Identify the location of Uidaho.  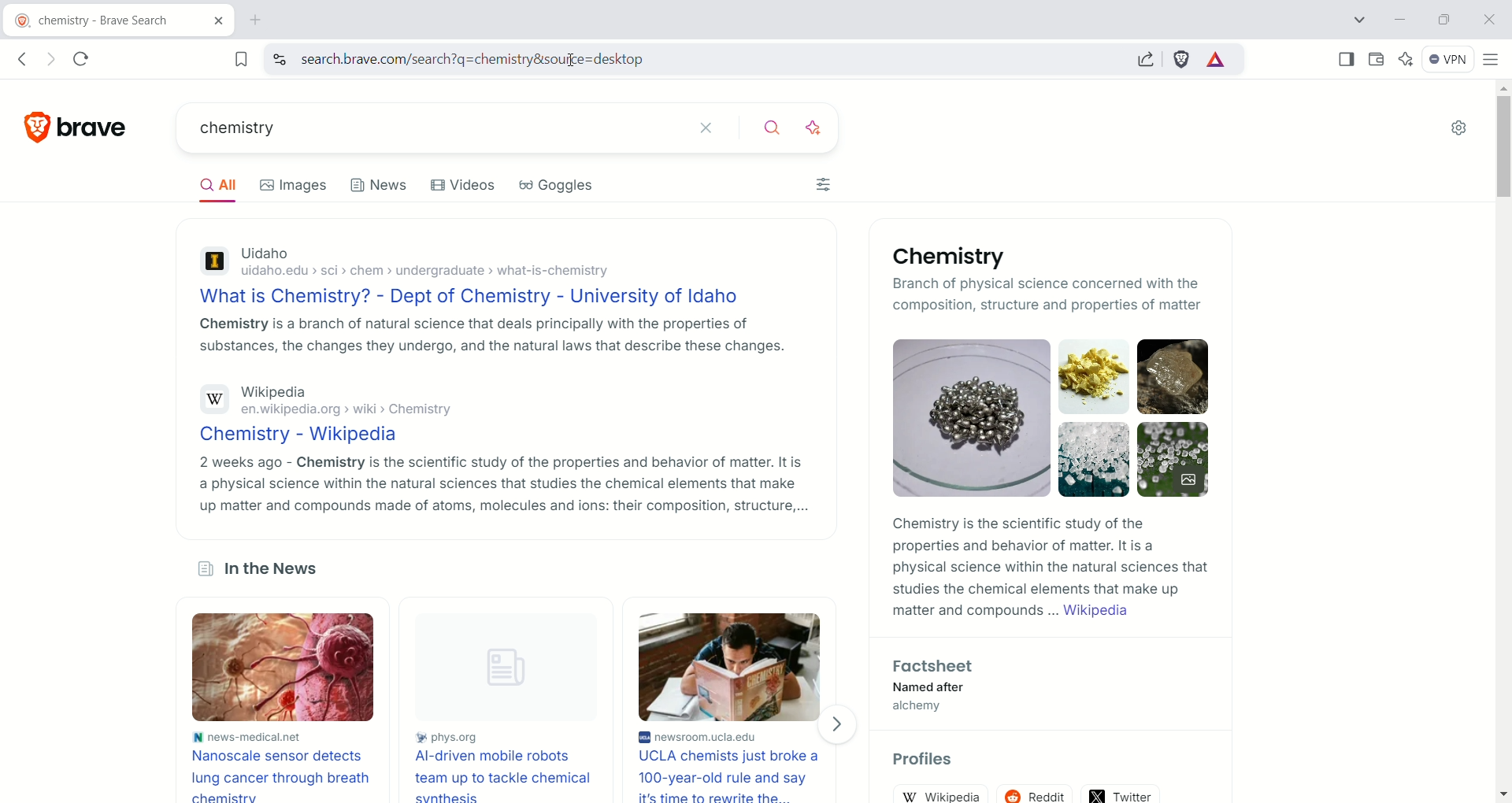
(265, 254).